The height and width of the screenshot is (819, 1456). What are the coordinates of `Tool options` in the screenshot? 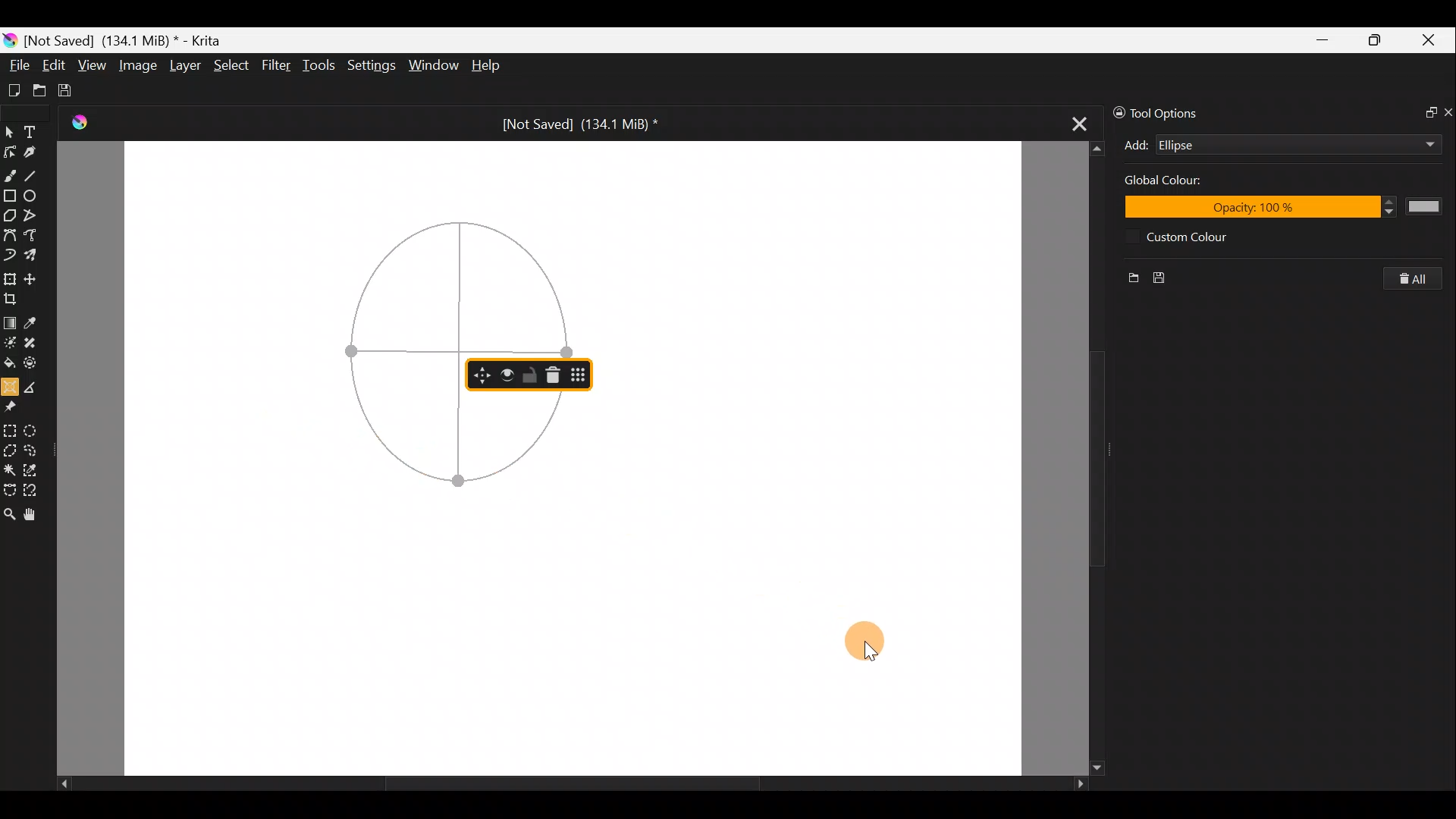 It's located at (1169, 111).